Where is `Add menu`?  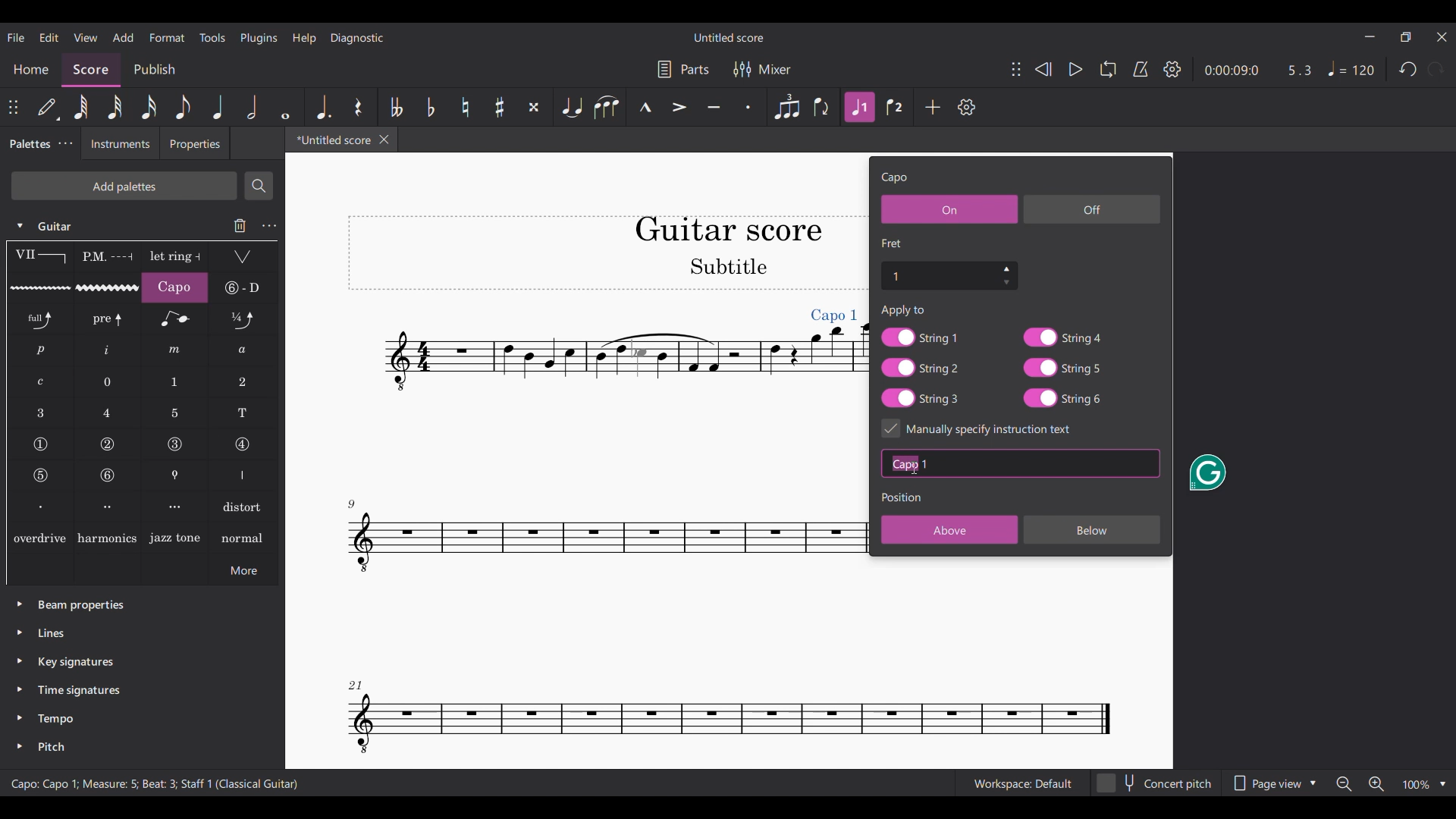
Add menu is located at coordinates (123, 37).